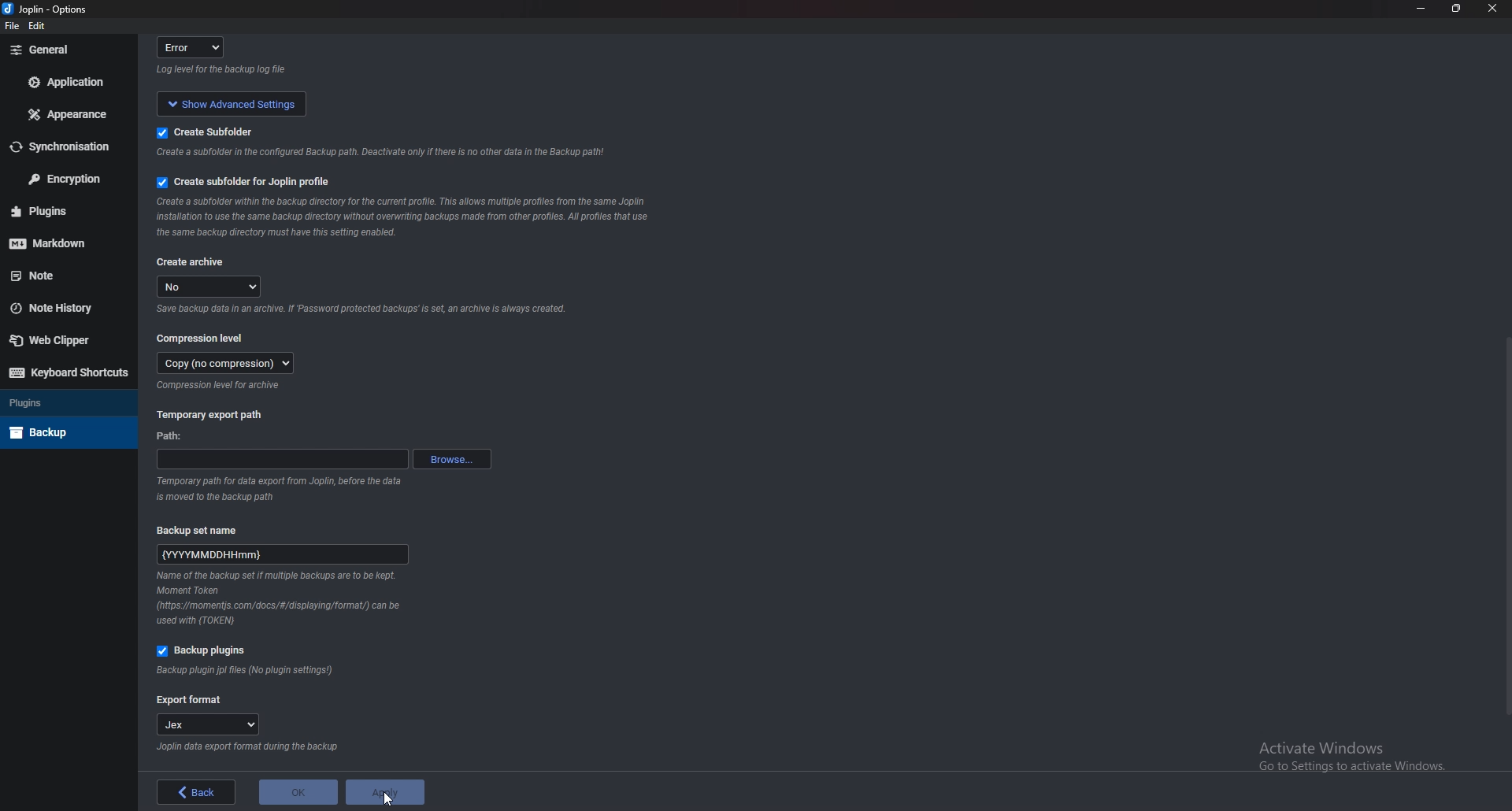  Describe the element at coordinates (226, 363) in the screenshot. I see `copy (no compression)` at that location.